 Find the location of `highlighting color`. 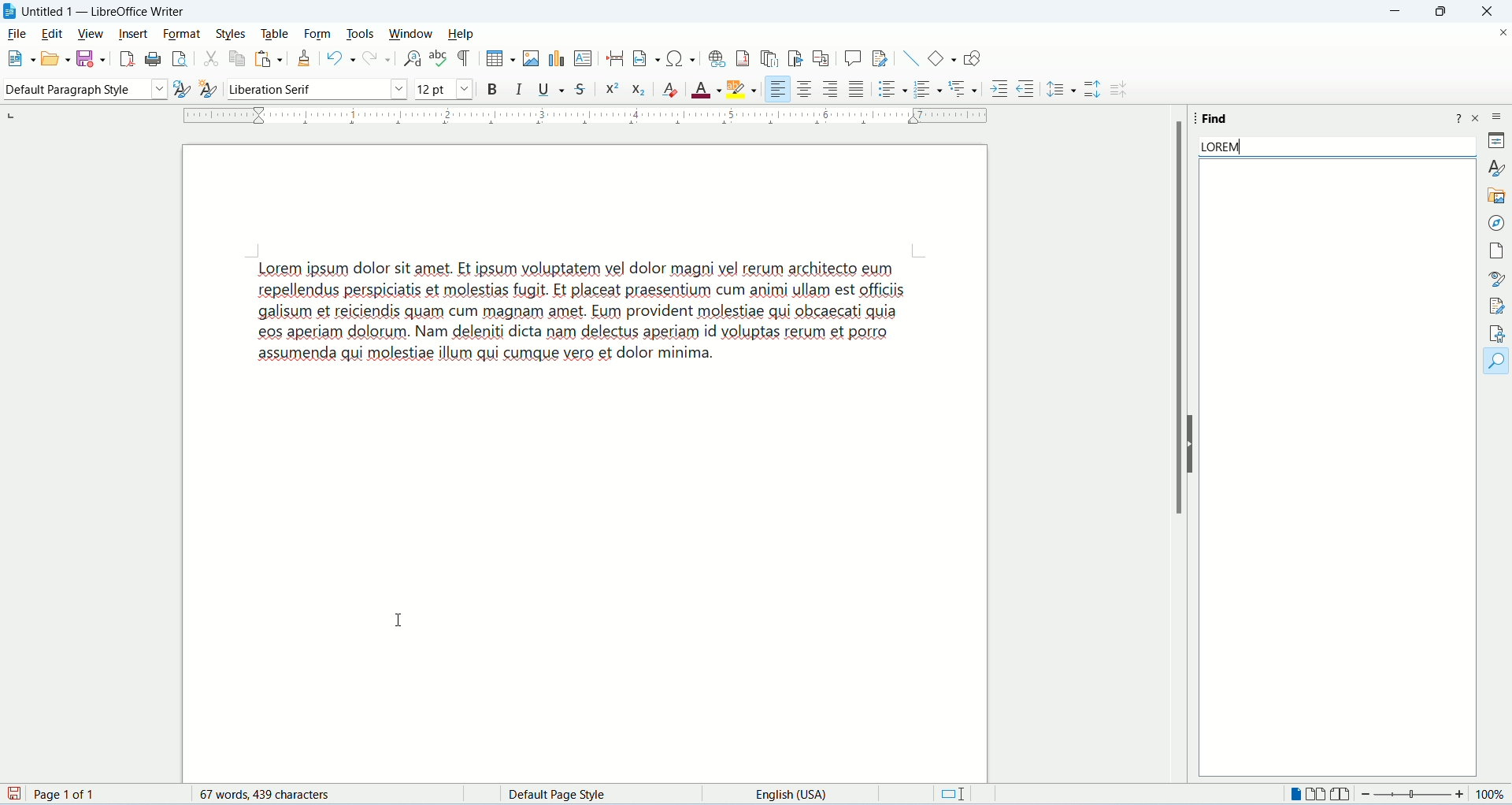

highlighting color is located at coordinates (744, 87).